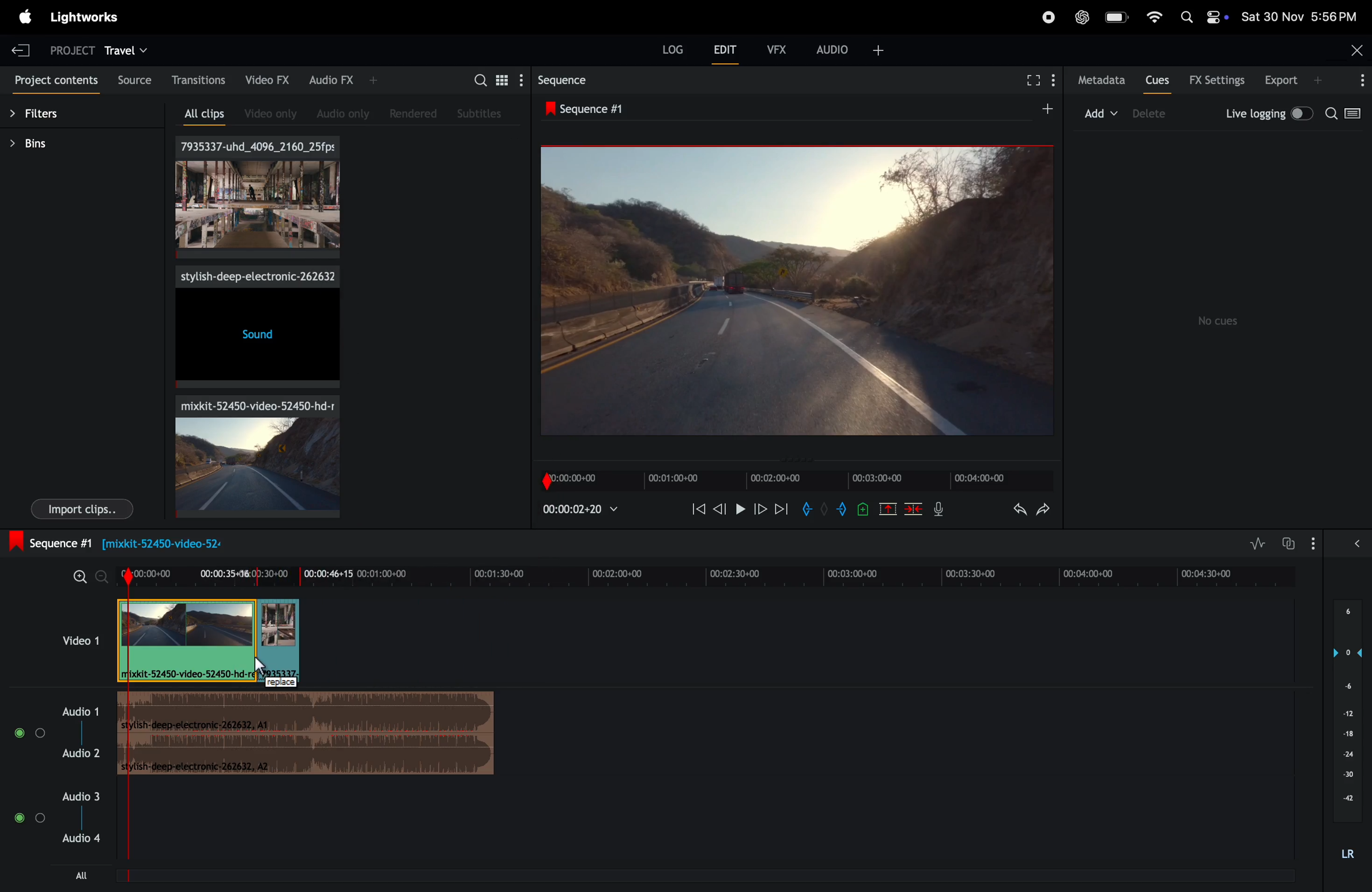  Describe the element at coordinates (198, 81) in the screenshot. I see `transactions` at that location.